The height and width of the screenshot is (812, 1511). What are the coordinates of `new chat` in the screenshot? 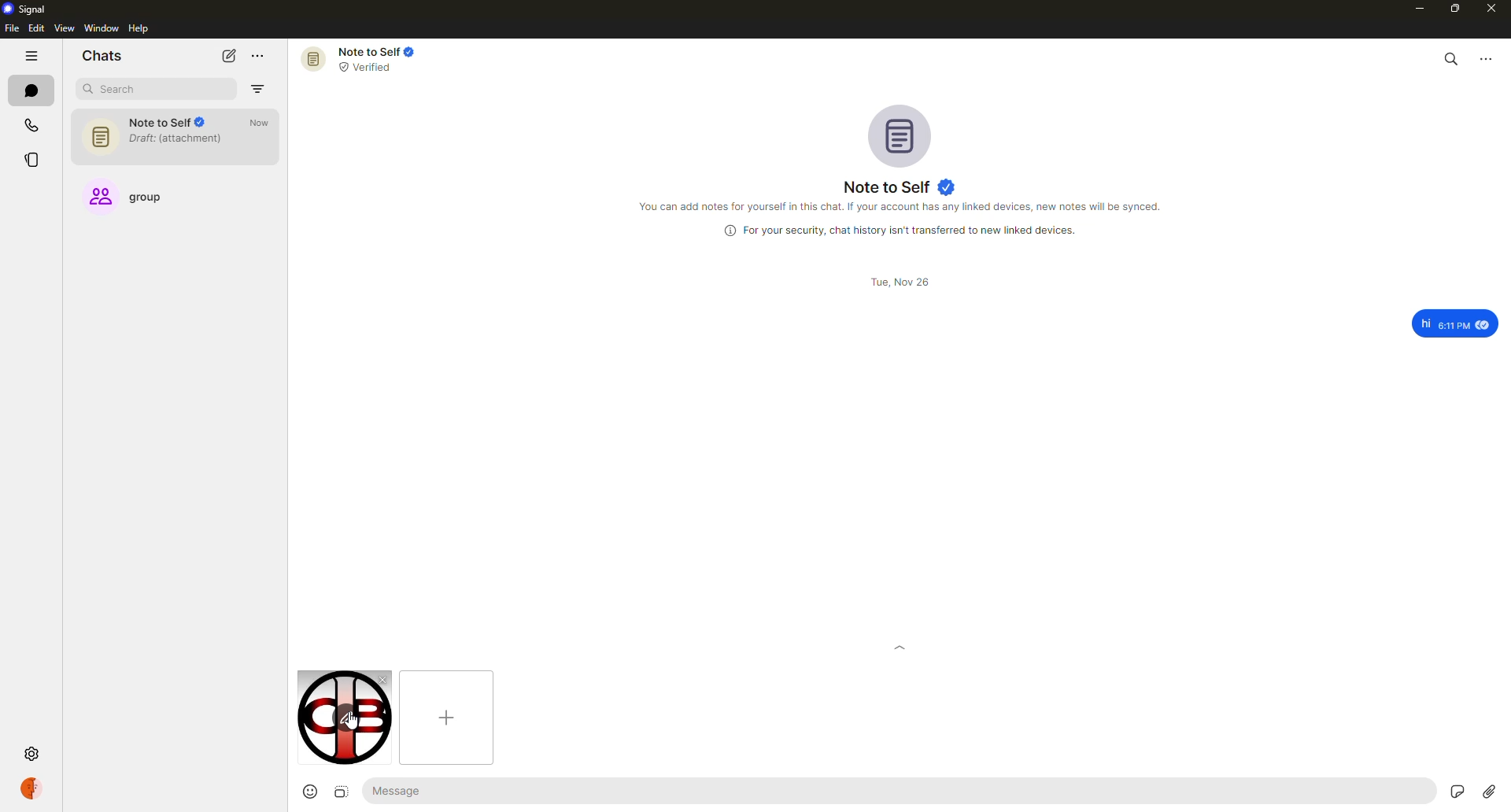 It's located at (229, 54).